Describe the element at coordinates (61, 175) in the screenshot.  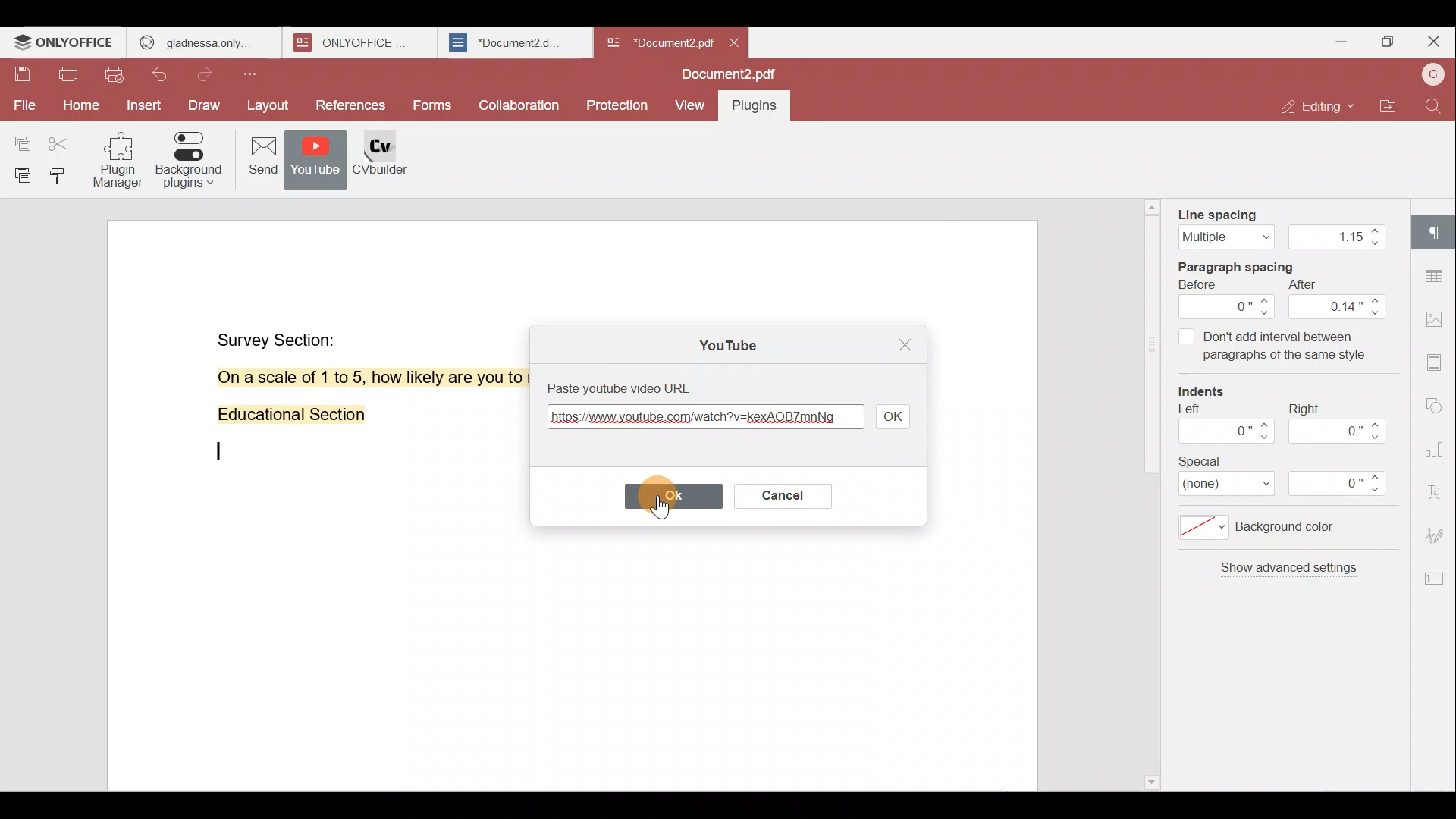
I see `Copy style` at that location.